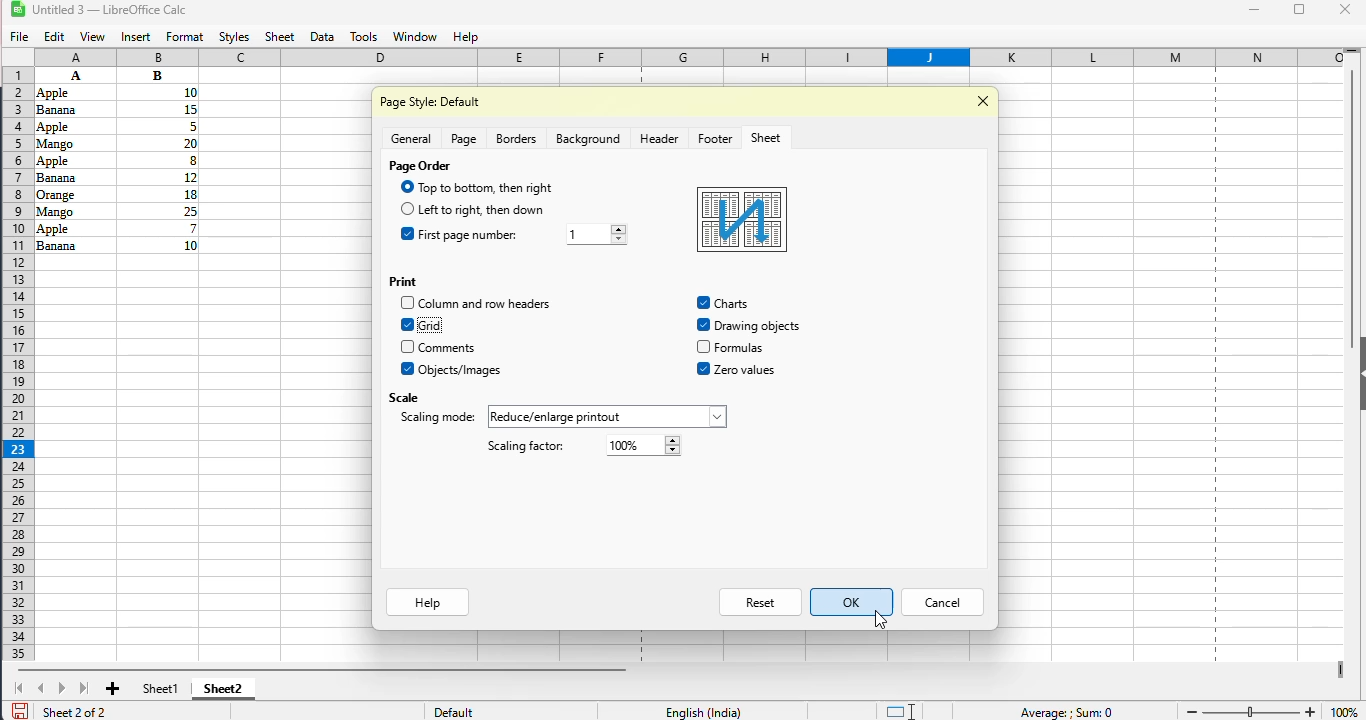 The image size is (1366, 720). I want to click on vertical scroll bar, so click(1352, 209).